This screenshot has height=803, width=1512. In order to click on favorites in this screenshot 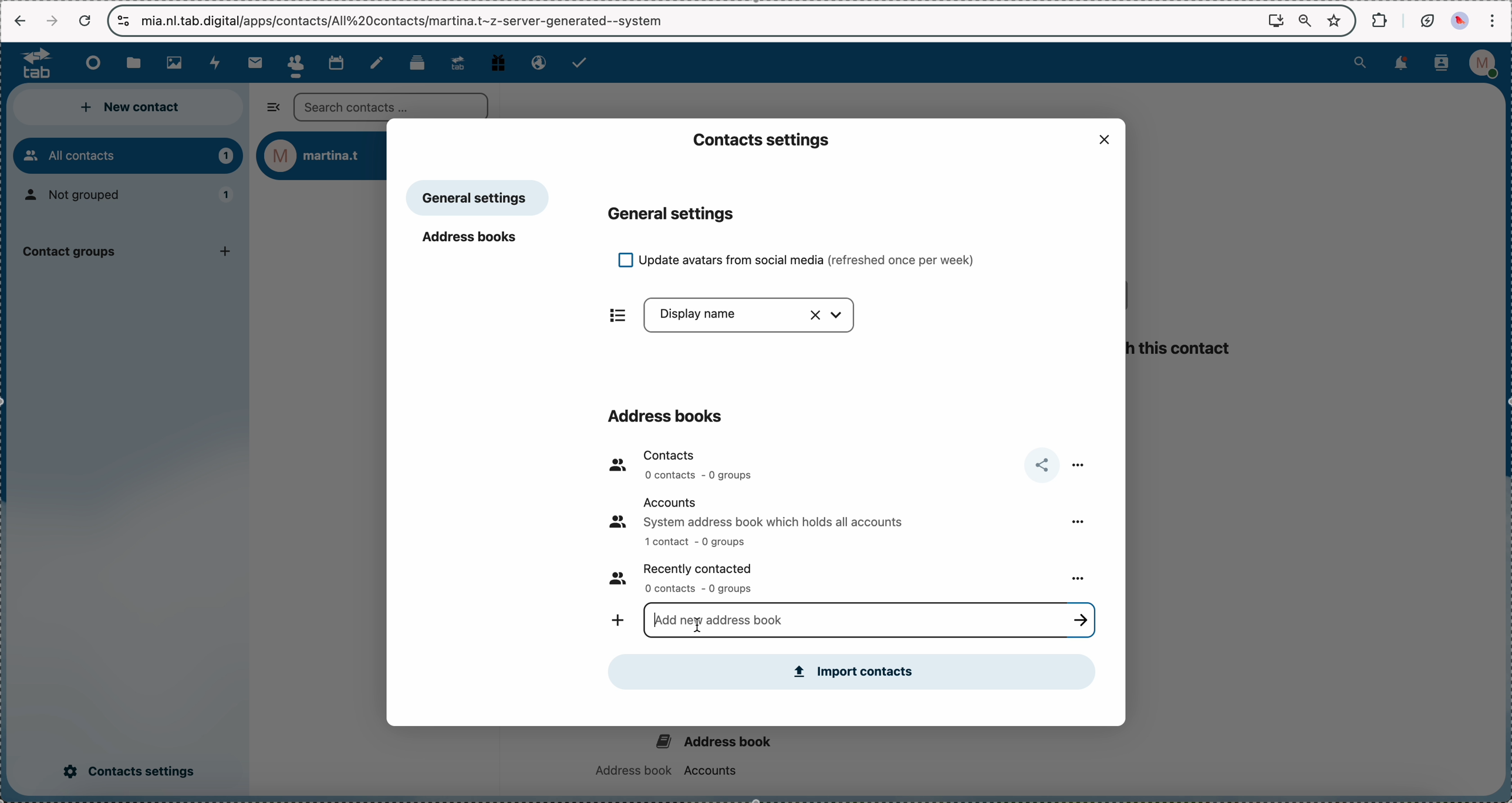, I will do `click(1334, 21)`.